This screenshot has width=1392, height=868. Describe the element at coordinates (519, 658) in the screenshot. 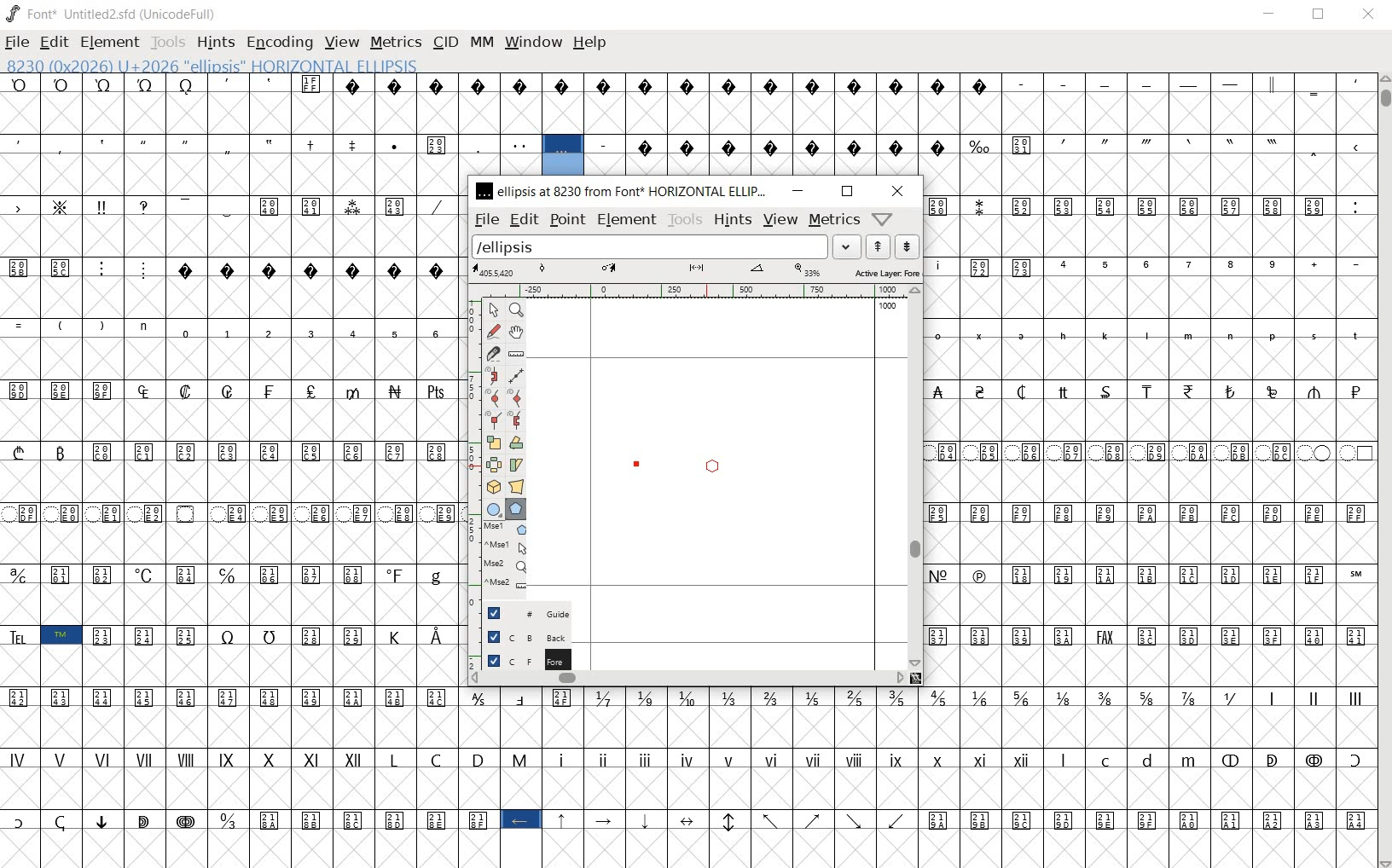

I see `foreground` at that location.